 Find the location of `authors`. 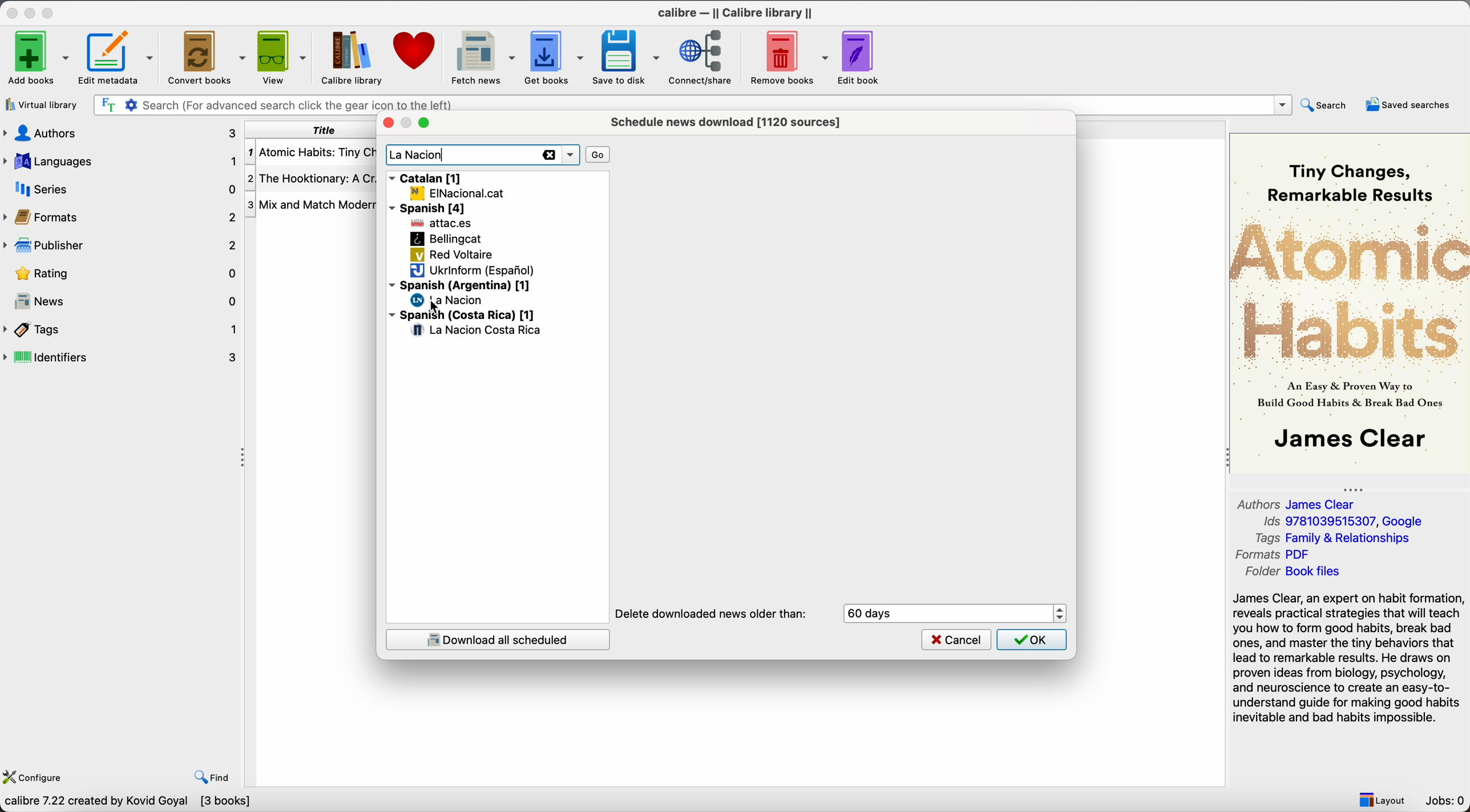

authors is located at coordinates (122, 134).